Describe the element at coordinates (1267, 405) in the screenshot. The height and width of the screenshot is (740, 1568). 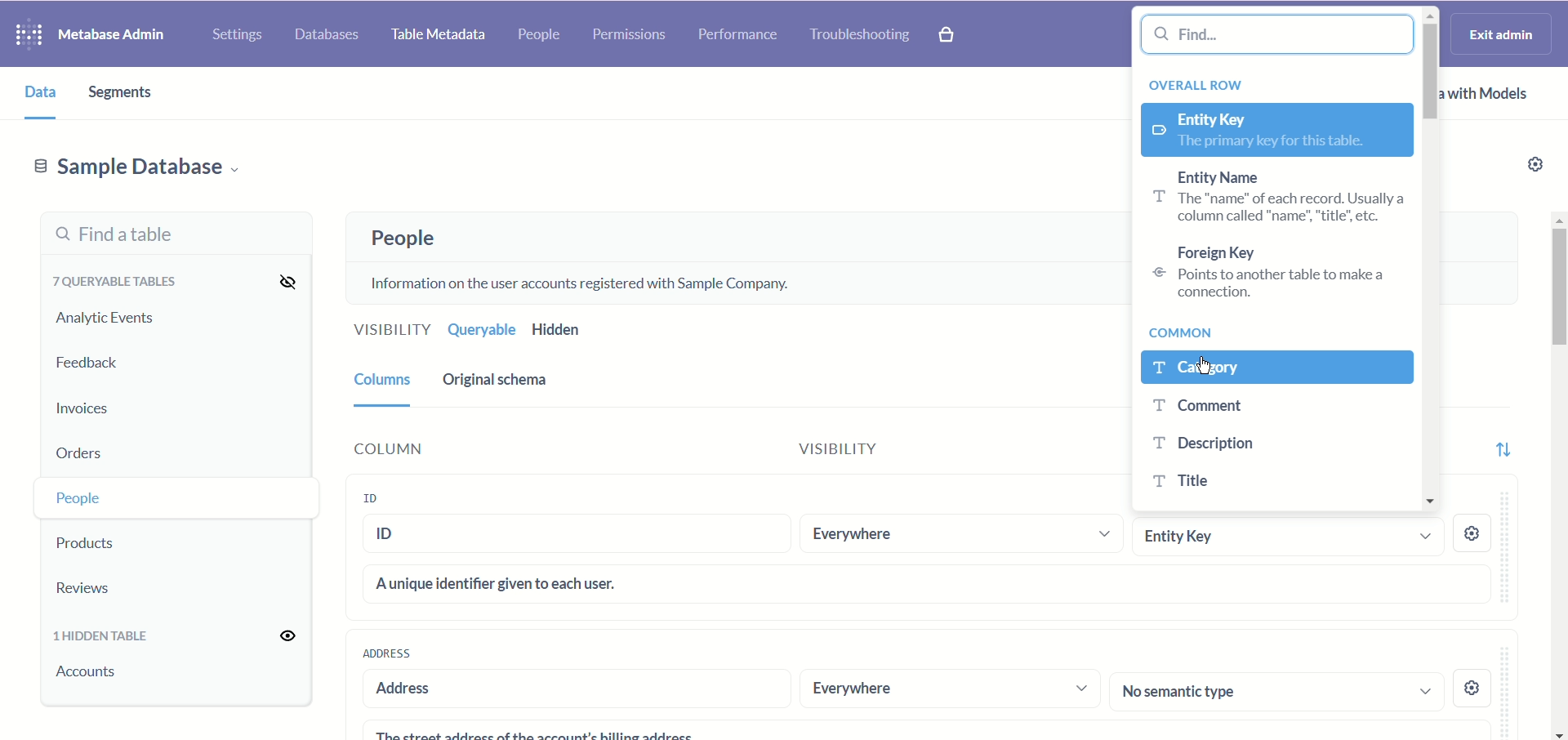
I see `Comment` at that location.